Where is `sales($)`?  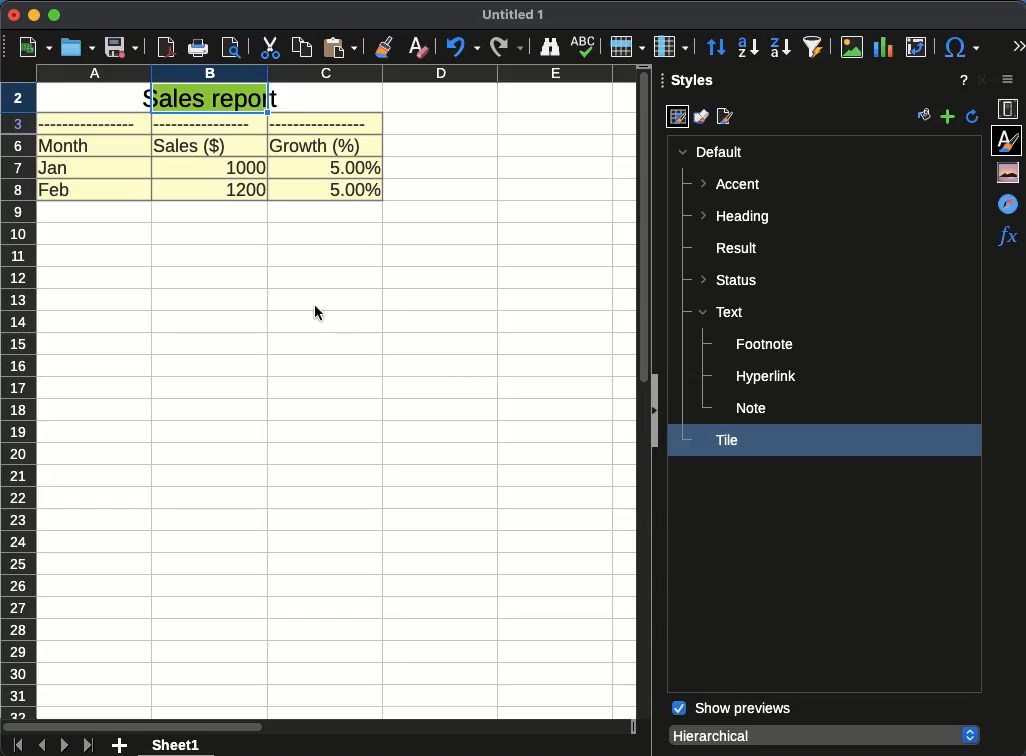 sales($) is located at coordinates (190, 144).